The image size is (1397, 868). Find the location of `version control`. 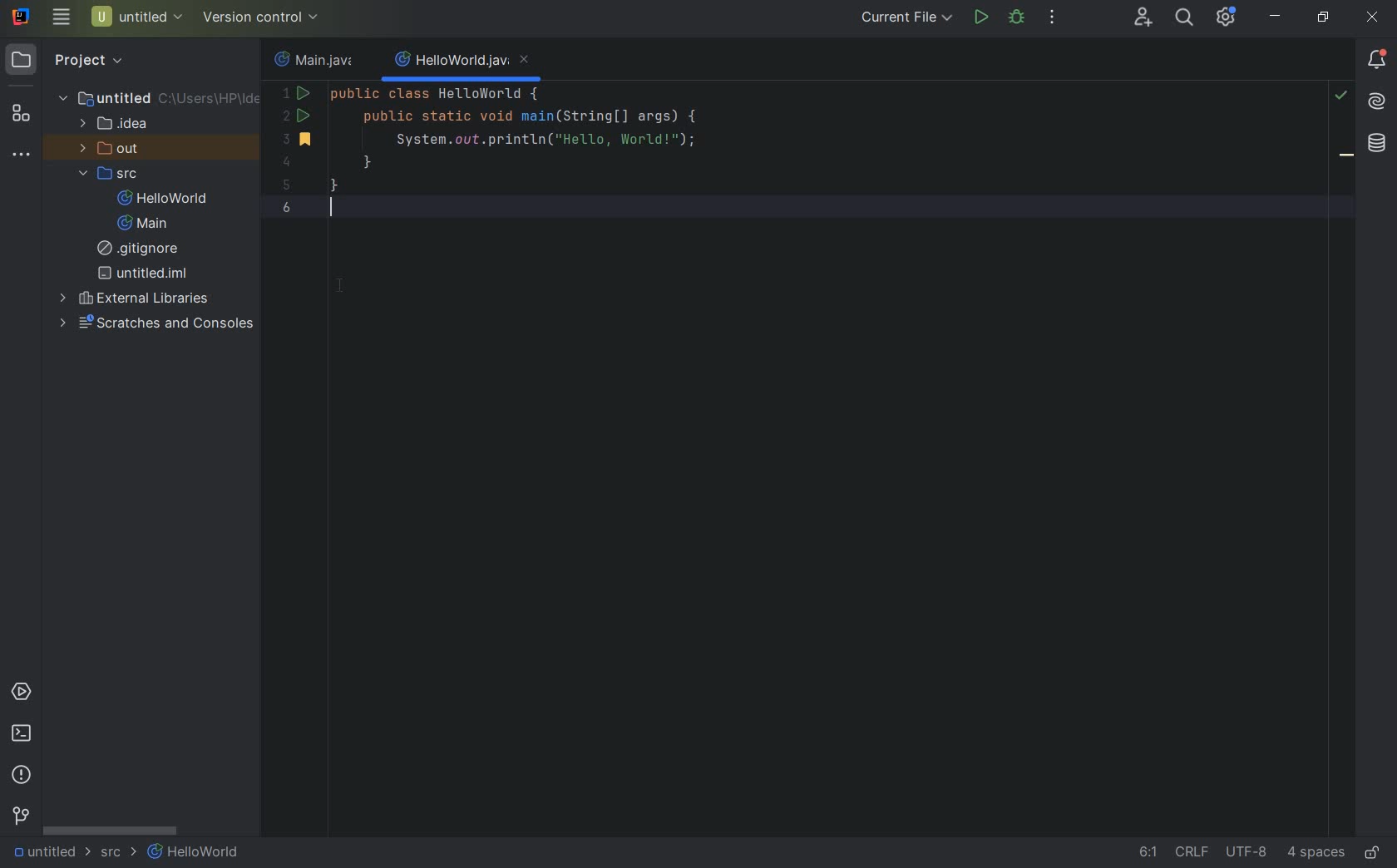

version control is located at coordinates (21, 818).